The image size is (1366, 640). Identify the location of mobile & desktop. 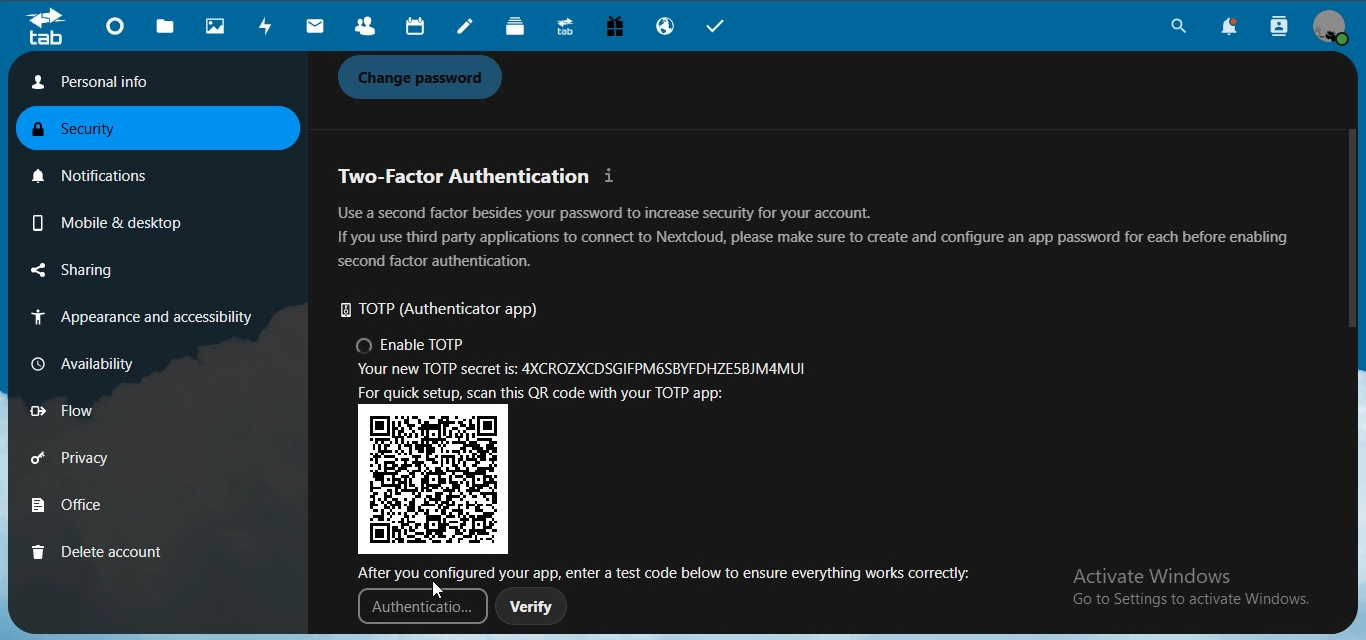
(104, 219).